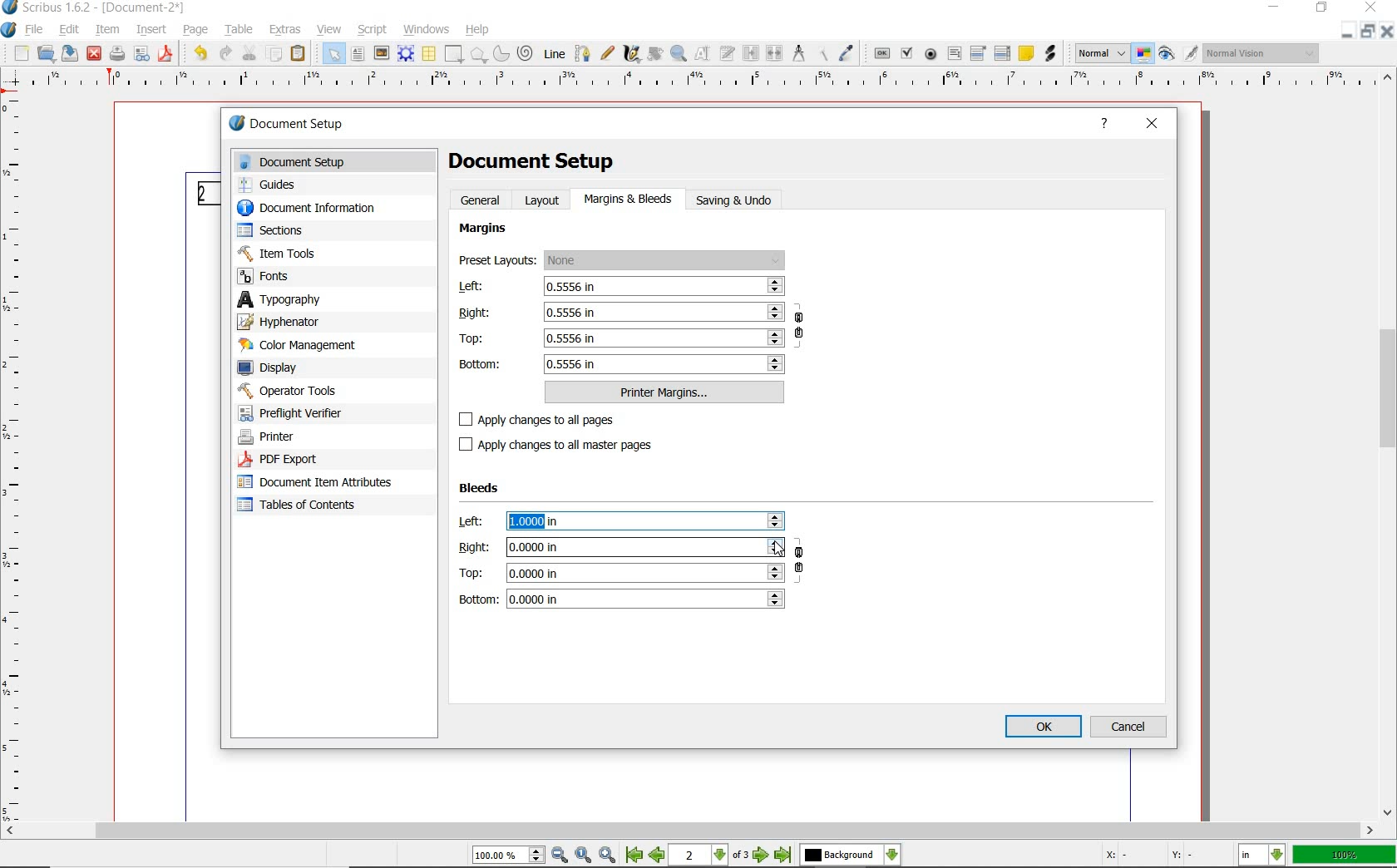  Describe the element at coordinates (107, 30) in the screenshot. I see `item` at that location.